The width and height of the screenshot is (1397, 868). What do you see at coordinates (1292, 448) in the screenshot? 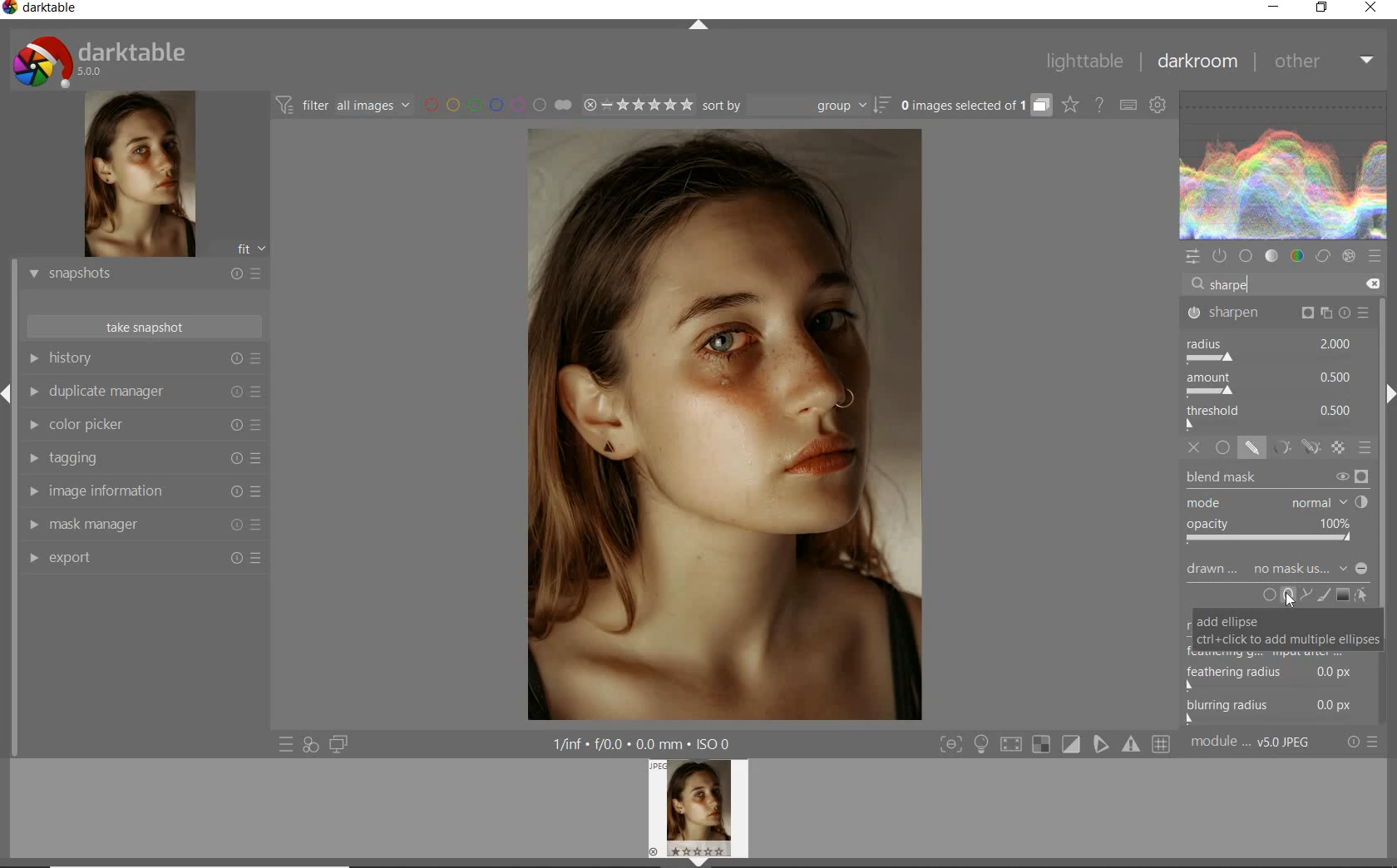
I see `MASK OPTIONS` at bounding box center [1292, 448].